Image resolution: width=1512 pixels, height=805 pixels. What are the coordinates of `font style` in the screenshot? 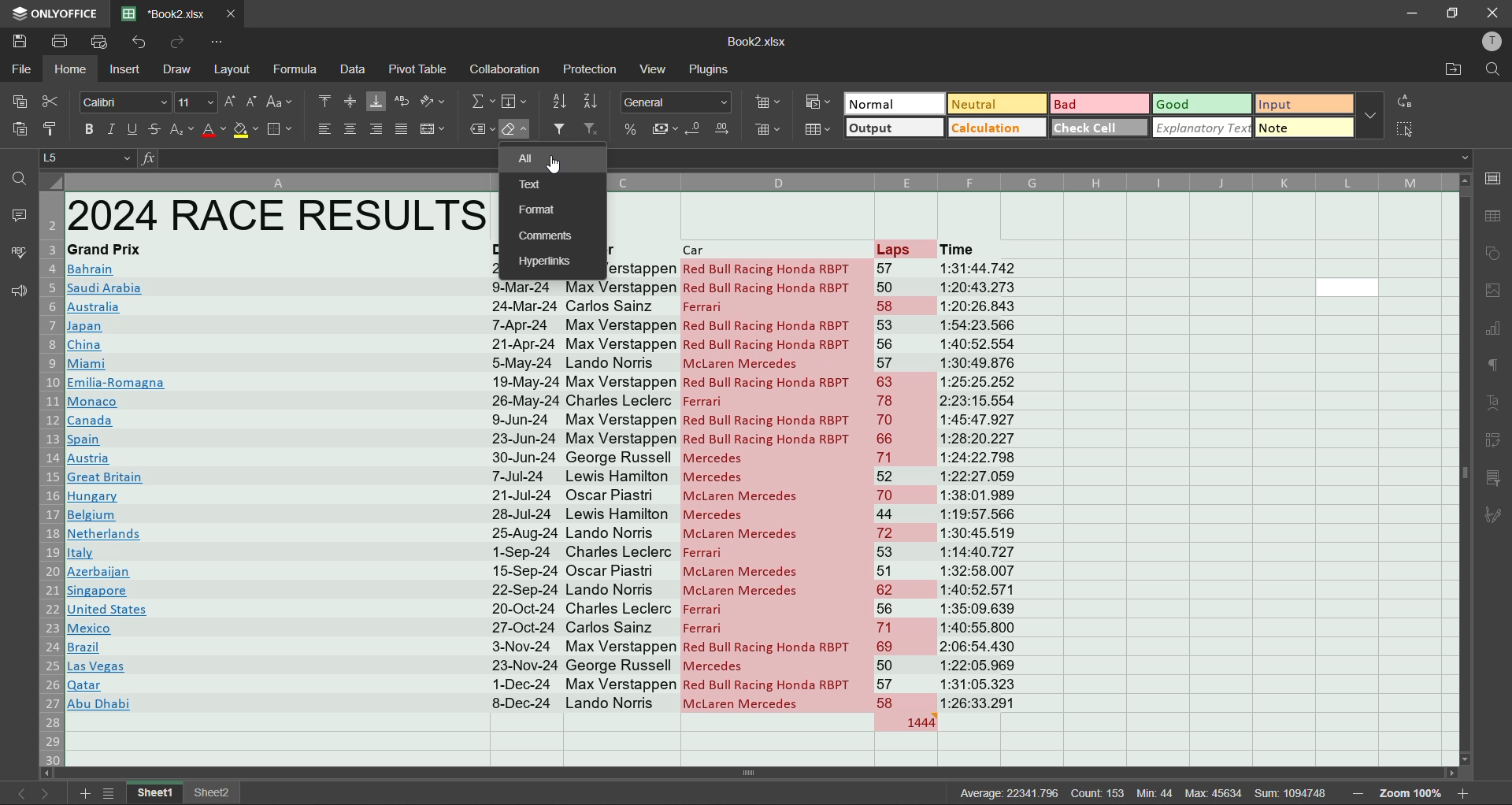 It's located at (124, 100).